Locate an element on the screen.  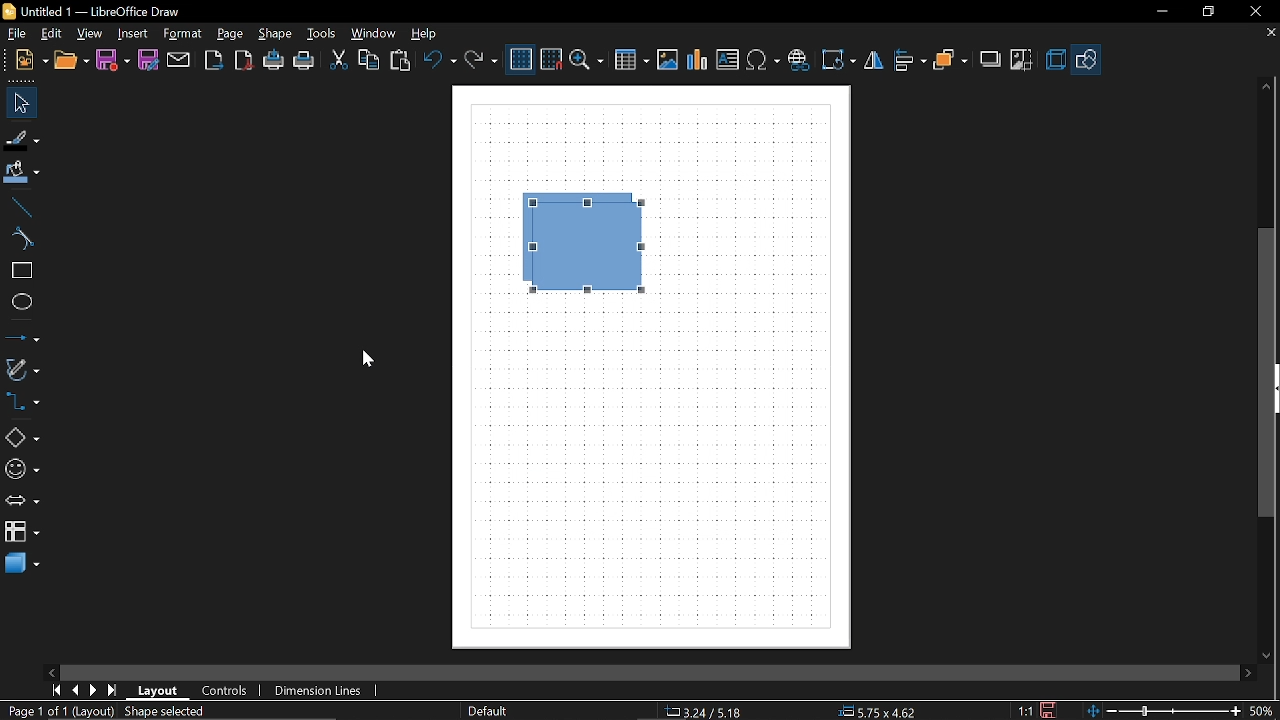
Print directly is located at coordinates (274, 61).